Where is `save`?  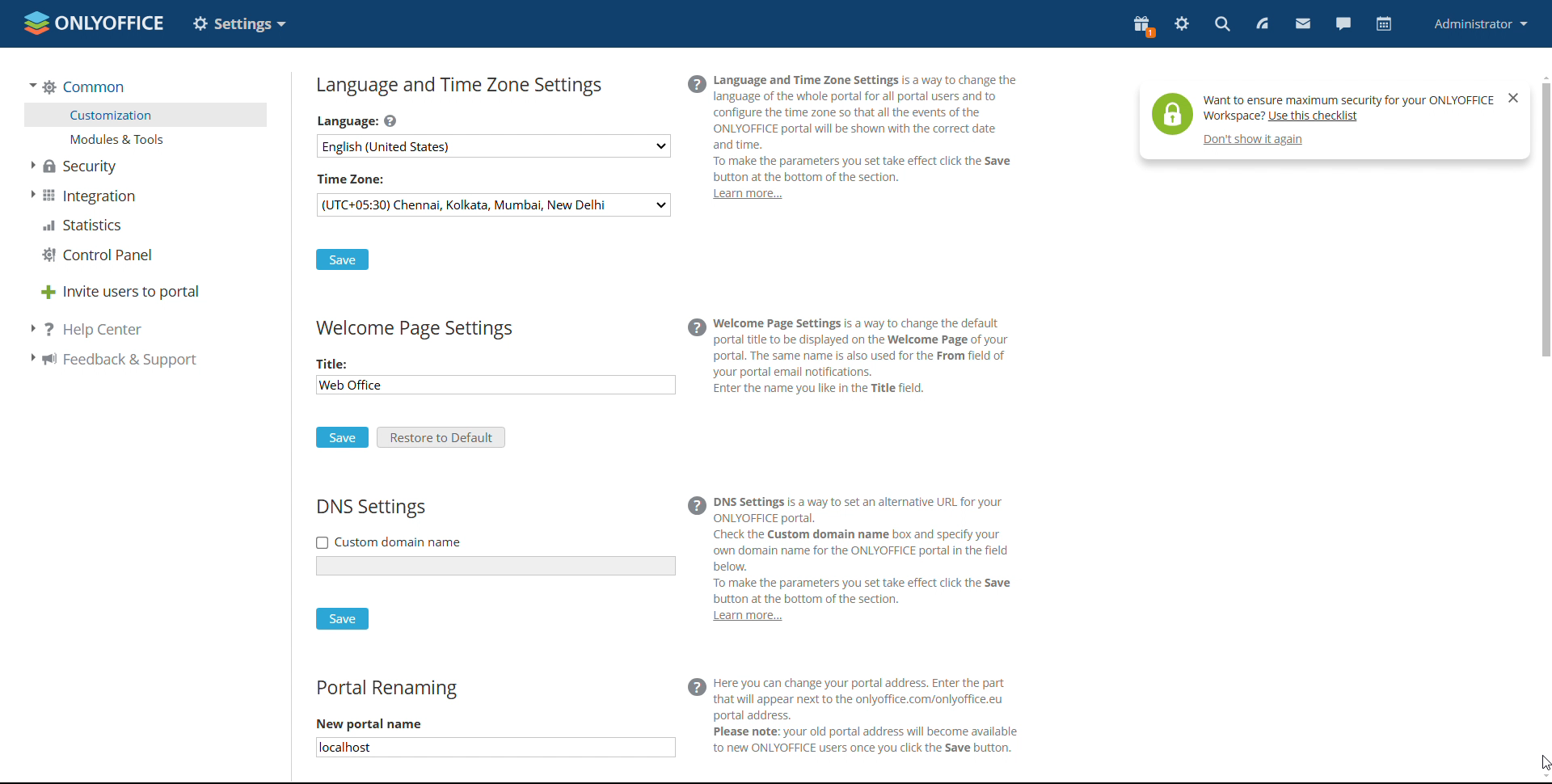
save is located at coordinates (342, 259).